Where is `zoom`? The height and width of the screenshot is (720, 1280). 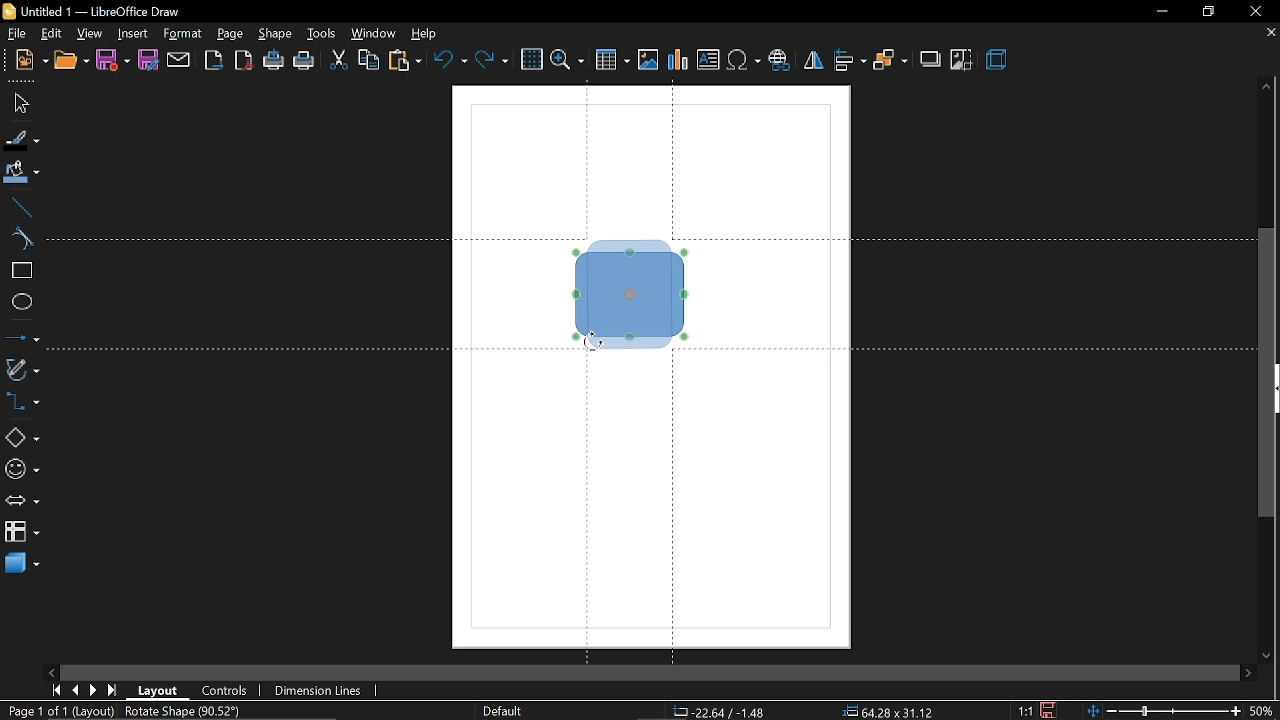 zoom is located at coordinates (566, 60).